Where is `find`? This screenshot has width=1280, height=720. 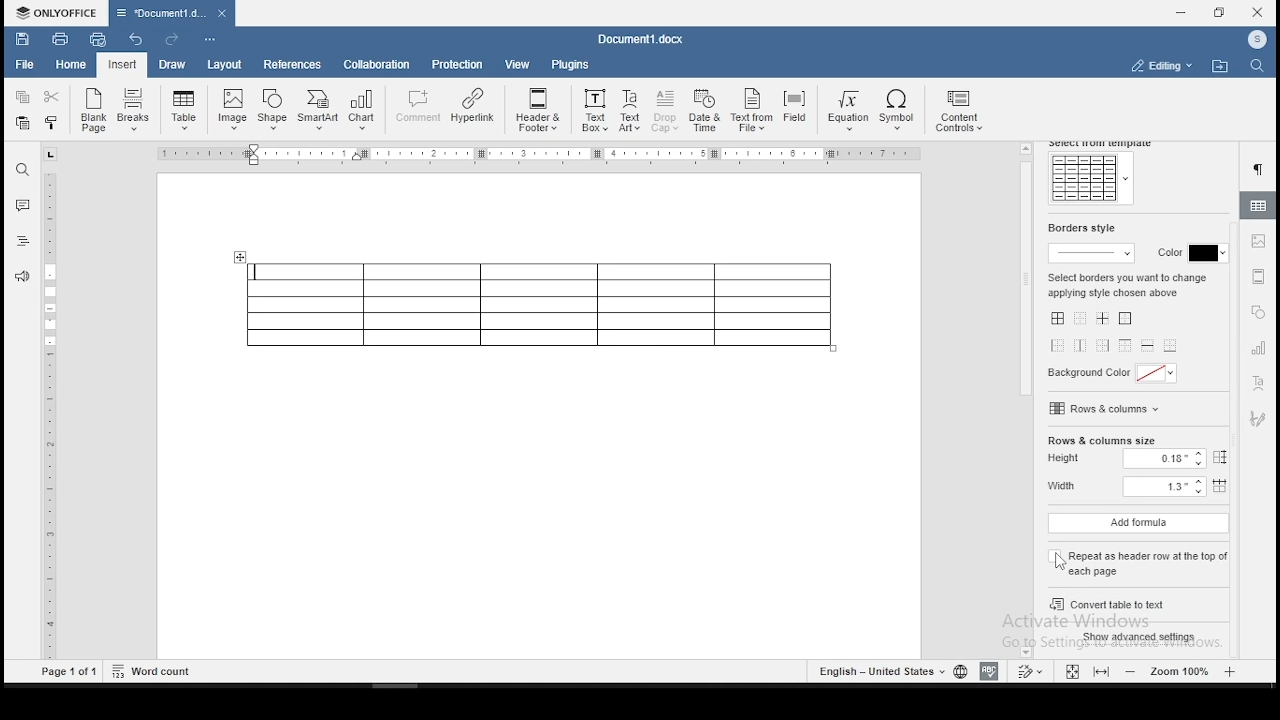
find is located at coordinates (1255, 67).